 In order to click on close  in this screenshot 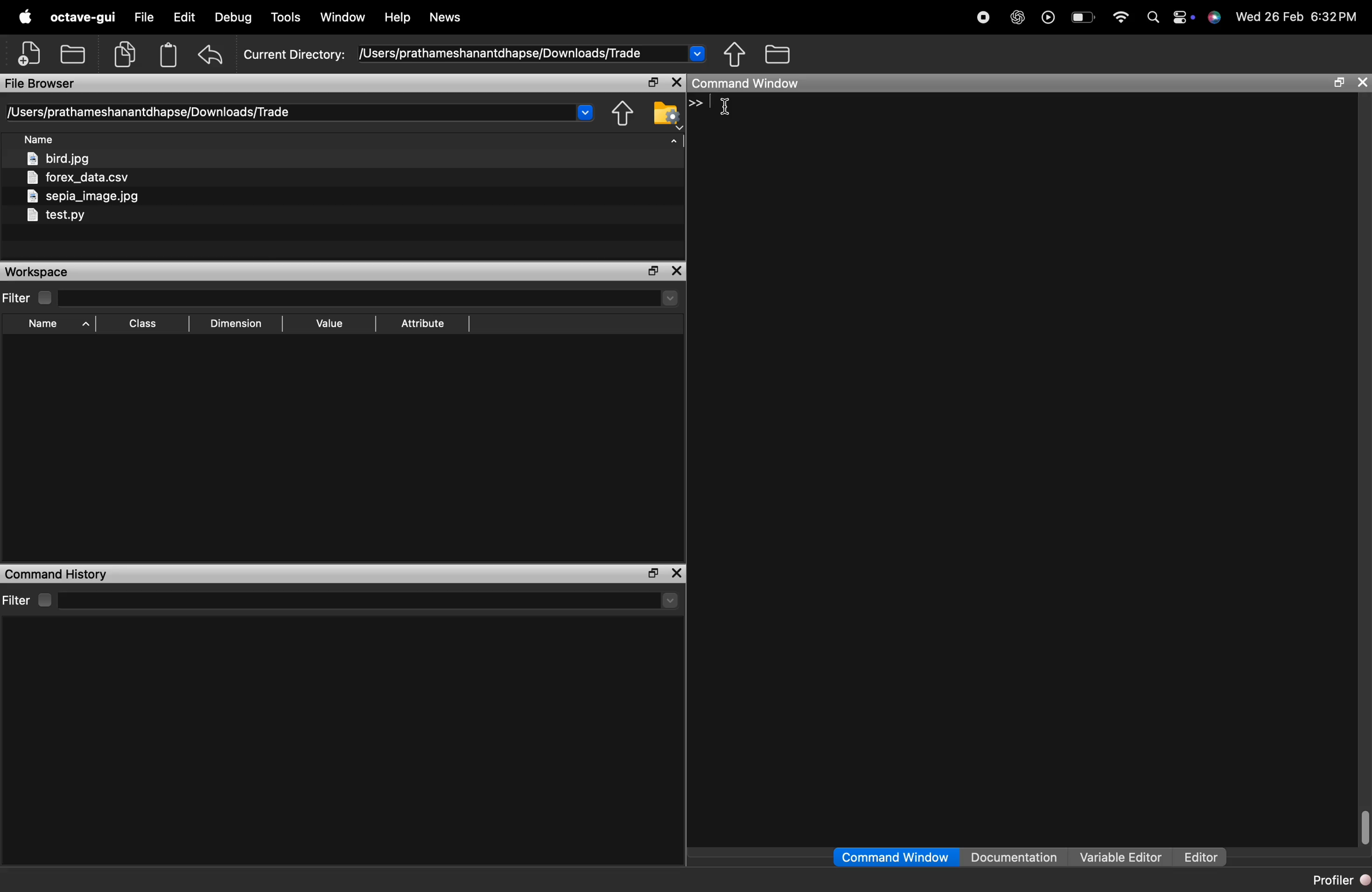, I will do `click(677, 573)`.